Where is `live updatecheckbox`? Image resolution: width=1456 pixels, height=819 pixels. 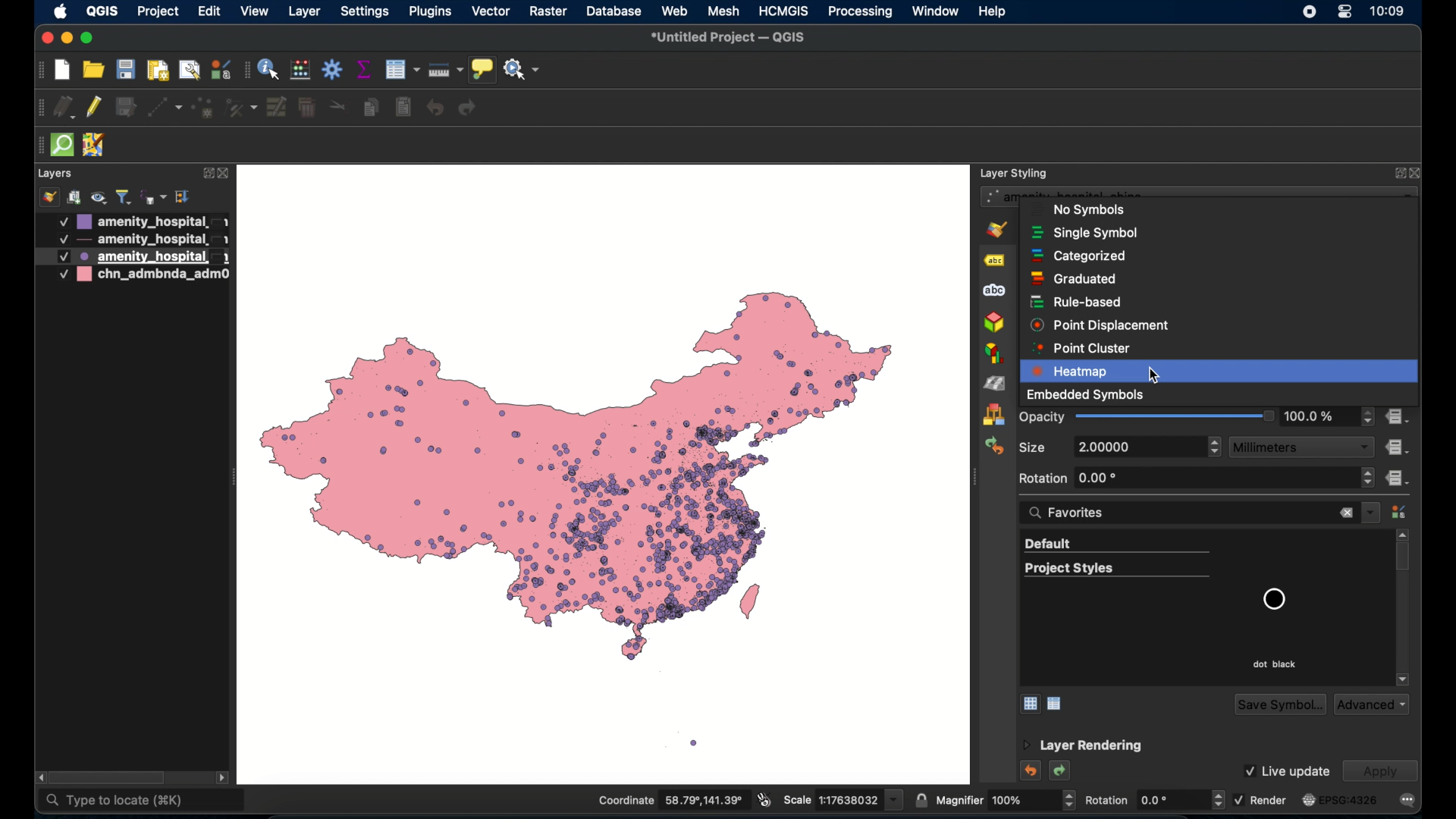
live updatecheckbox is located at coordinates (1285, 770).